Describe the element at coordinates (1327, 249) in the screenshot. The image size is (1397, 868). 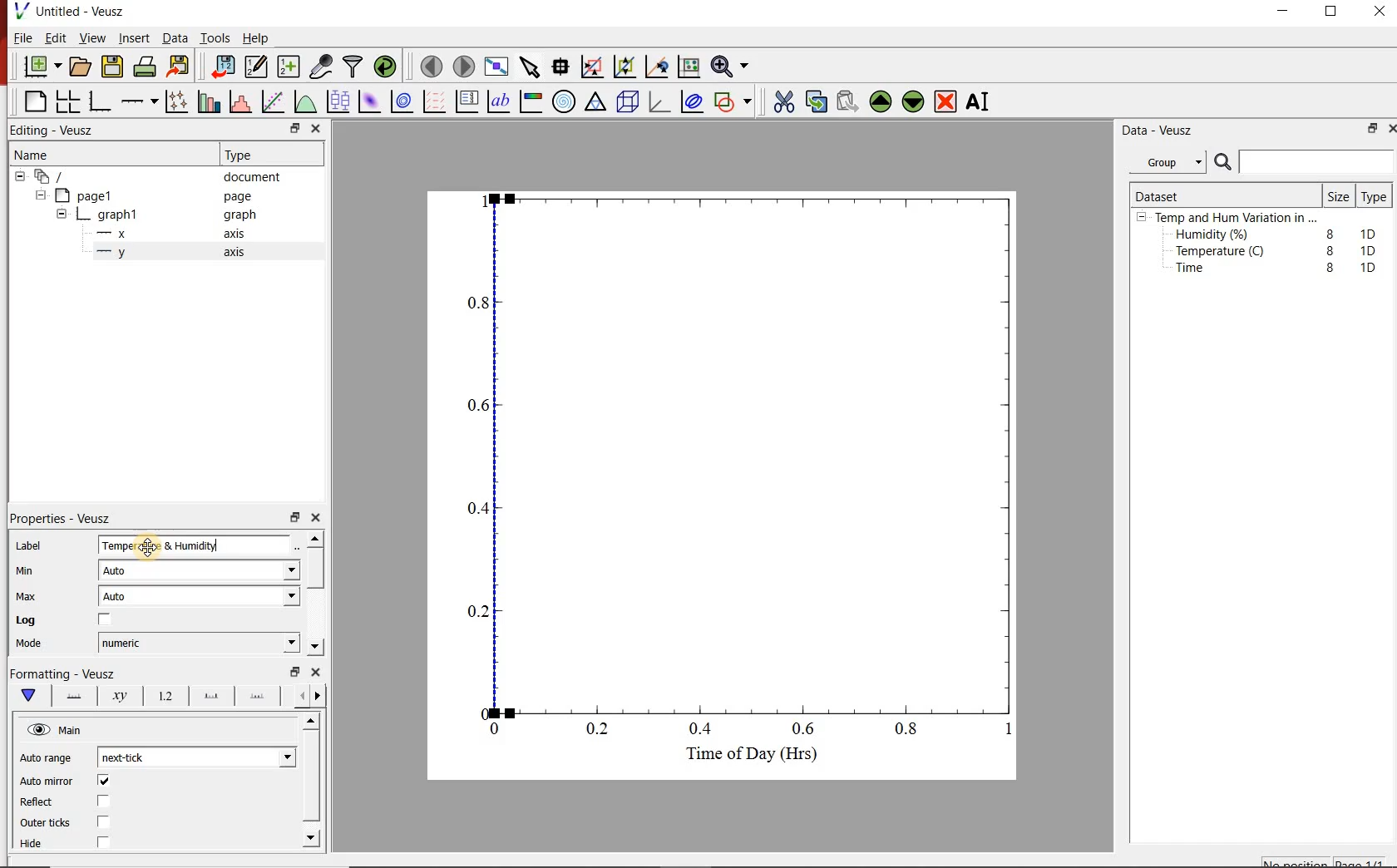
I see `8` at that location.